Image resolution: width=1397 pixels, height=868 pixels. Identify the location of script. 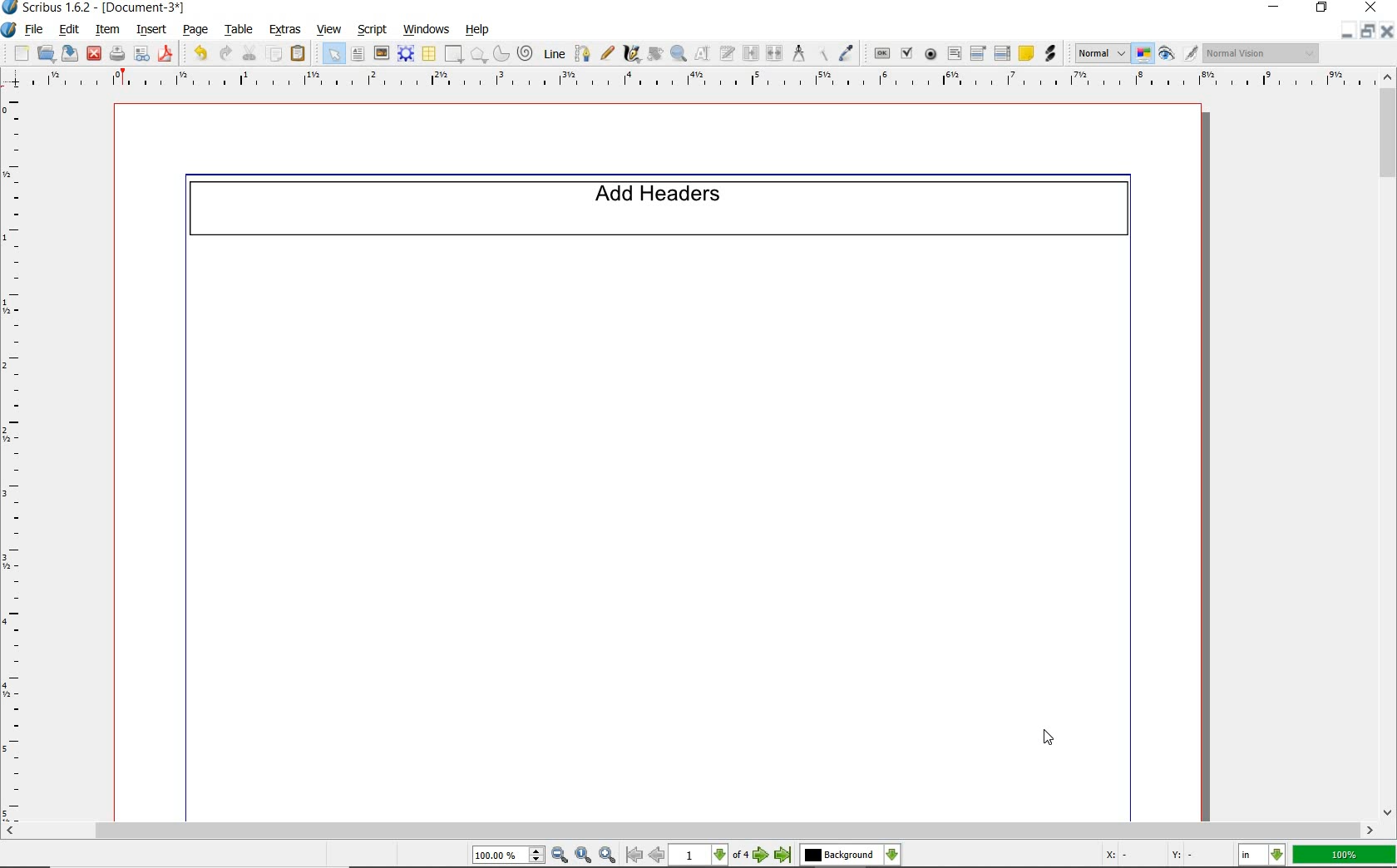
(373, 29).